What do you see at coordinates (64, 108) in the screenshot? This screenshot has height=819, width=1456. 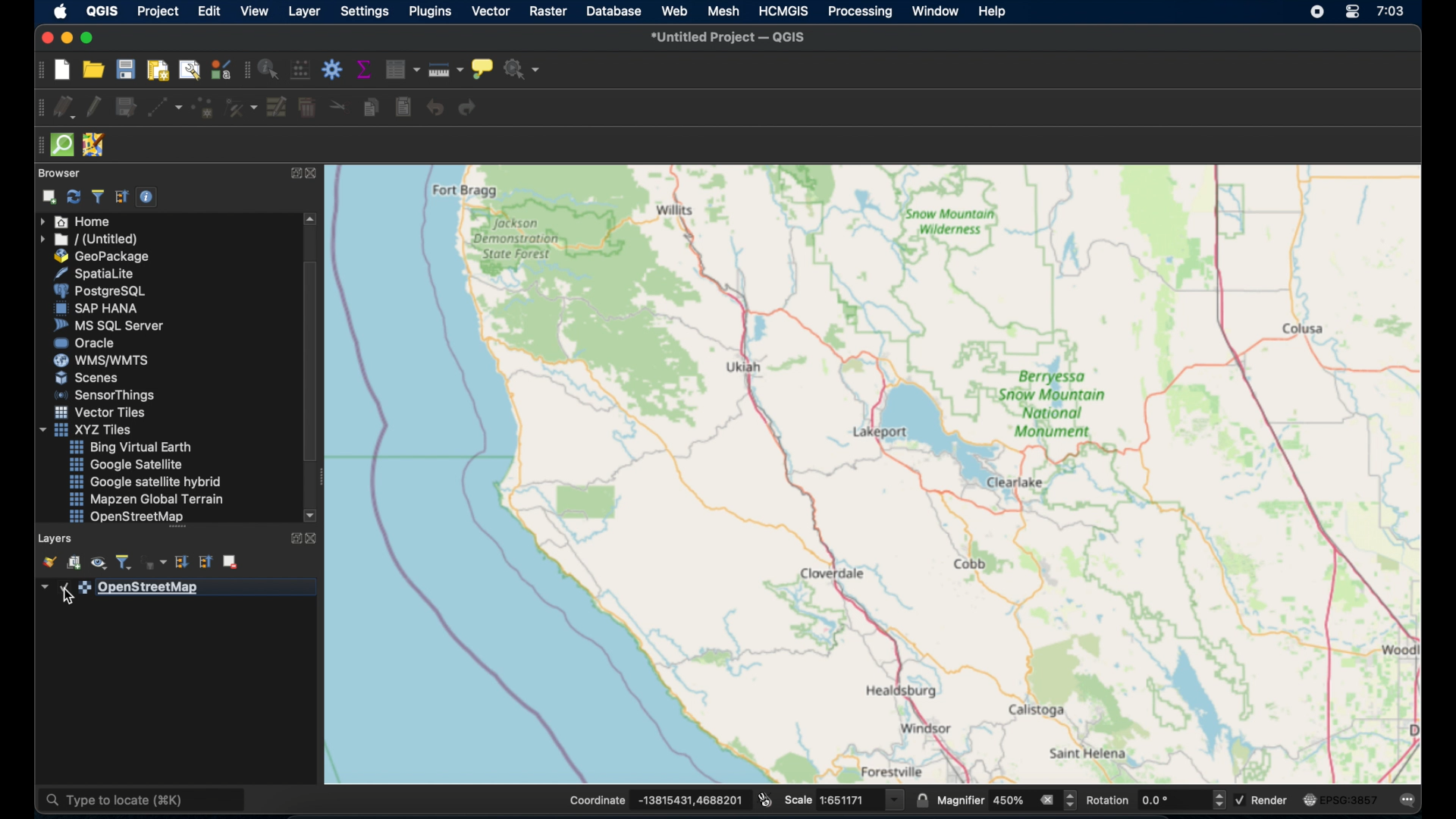 I see `current edits` at bounding box center [64, 108].